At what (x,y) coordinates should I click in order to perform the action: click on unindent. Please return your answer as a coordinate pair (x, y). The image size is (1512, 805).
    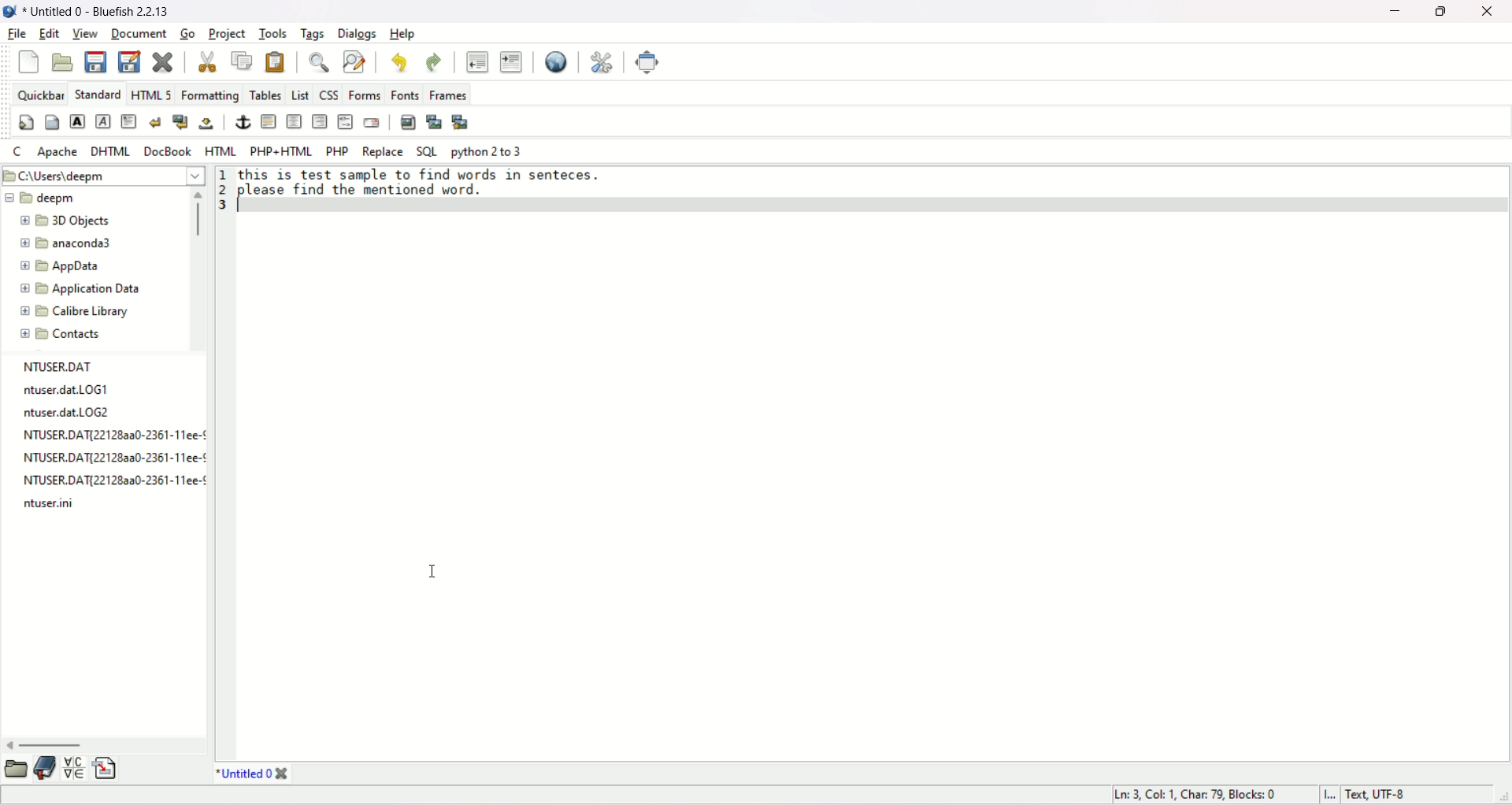
    Looking at the image, I should click on (476, 60).